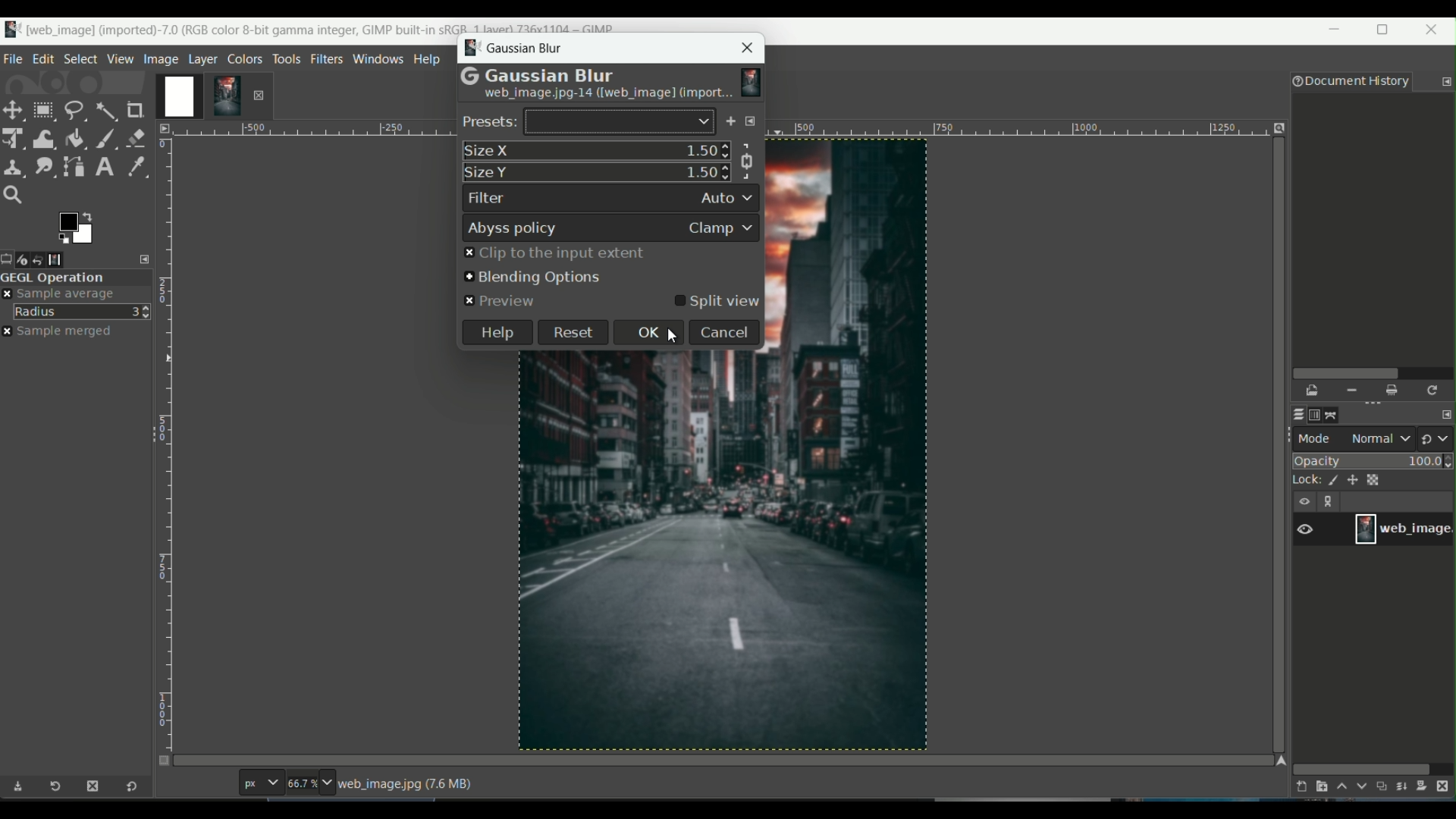 This screenshot has width=1456, height=819. What do you see at coordinates (17, 196) in the screenshot?
I see `zoom tool` at bounding box center [17, 196].